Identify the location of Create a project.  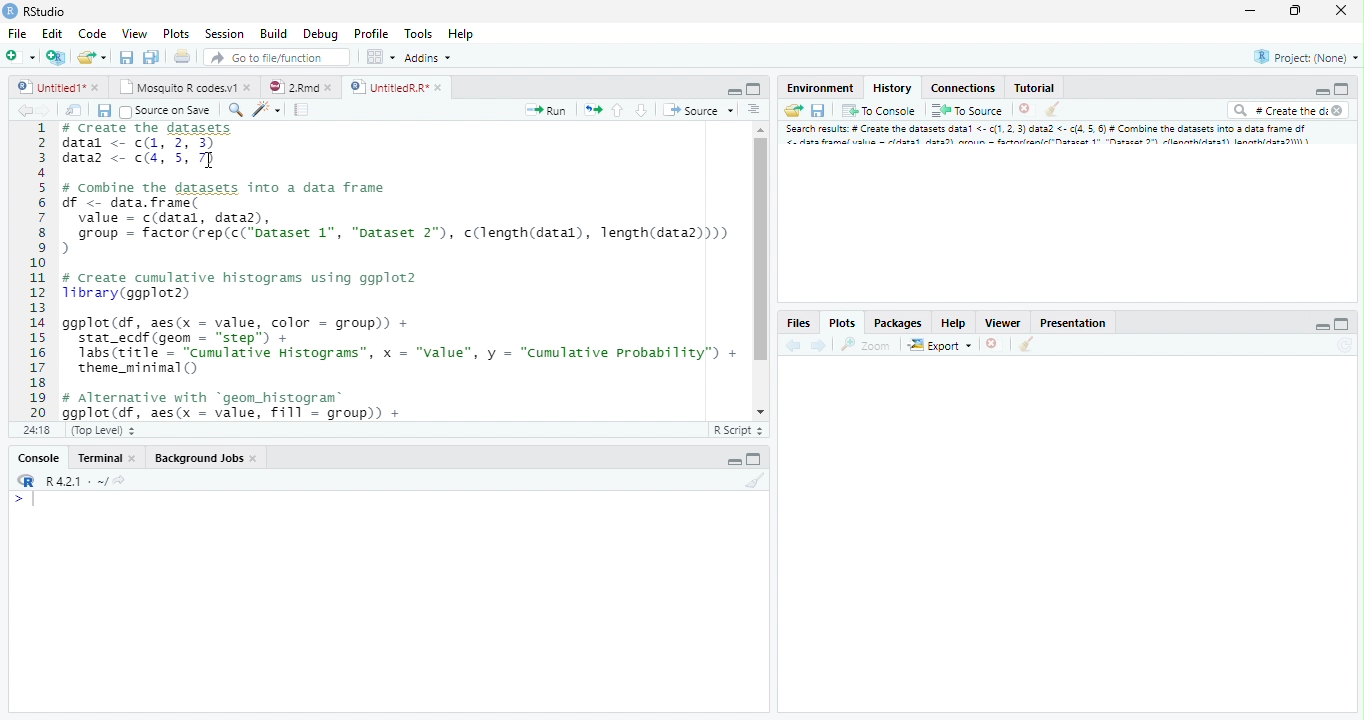
(56, 55).